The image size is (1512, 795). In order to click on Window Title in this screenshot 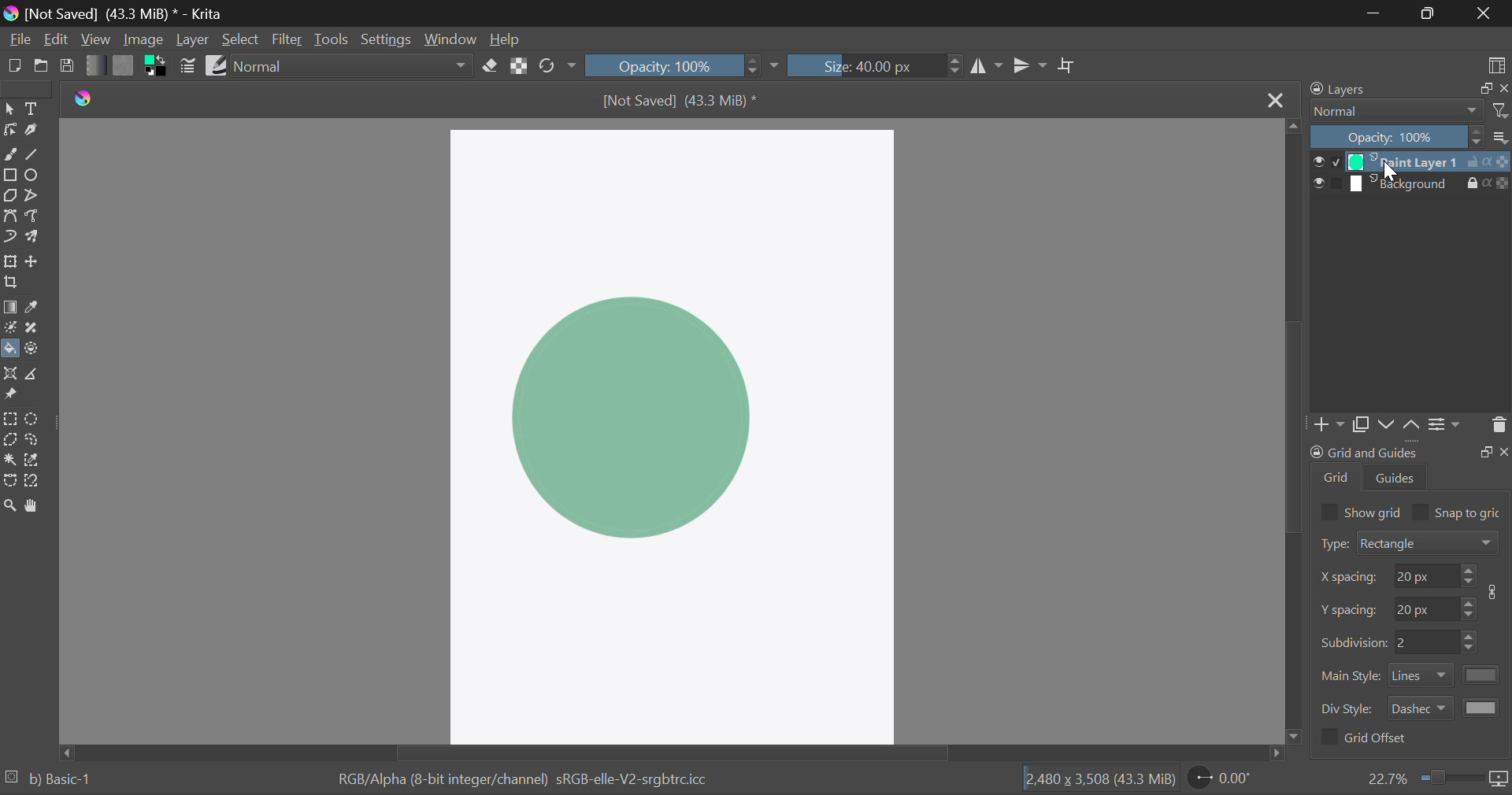, I will do `click(115, 13)`.